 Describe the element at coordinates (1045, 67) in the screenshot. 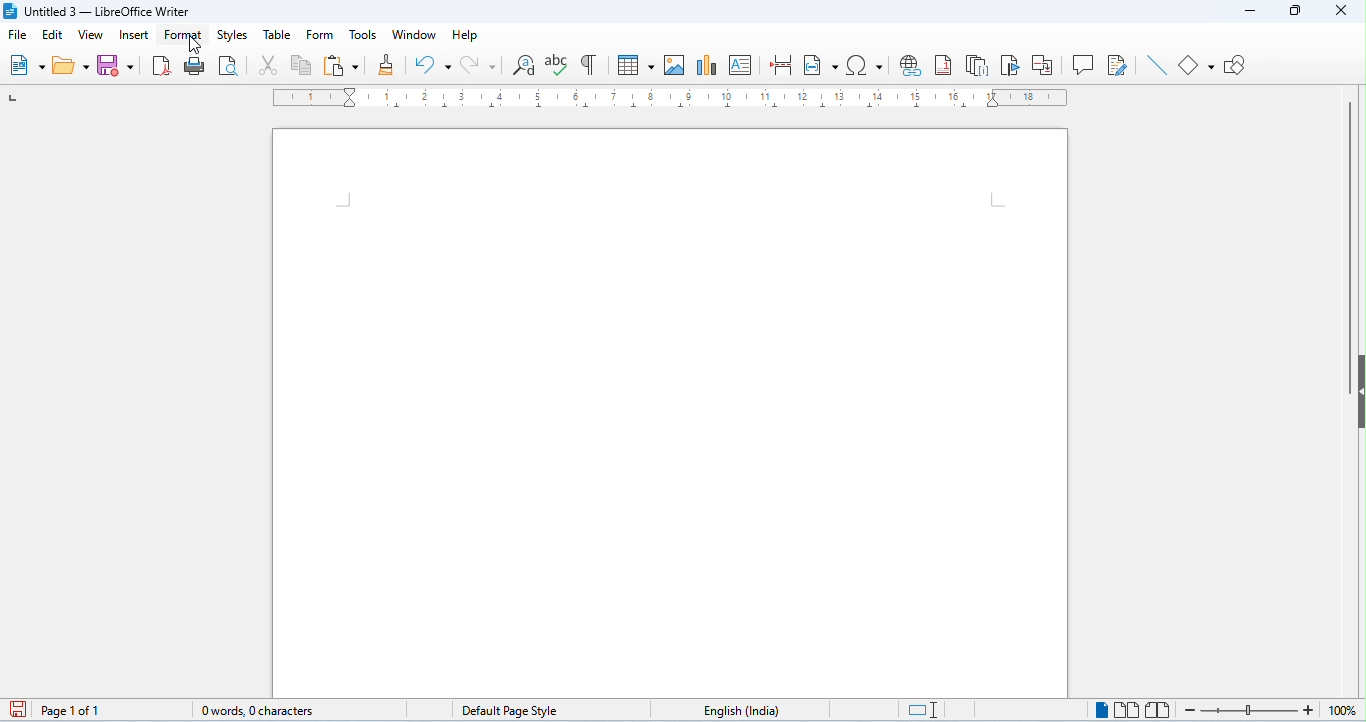

I see `insert cross reference` at that location.